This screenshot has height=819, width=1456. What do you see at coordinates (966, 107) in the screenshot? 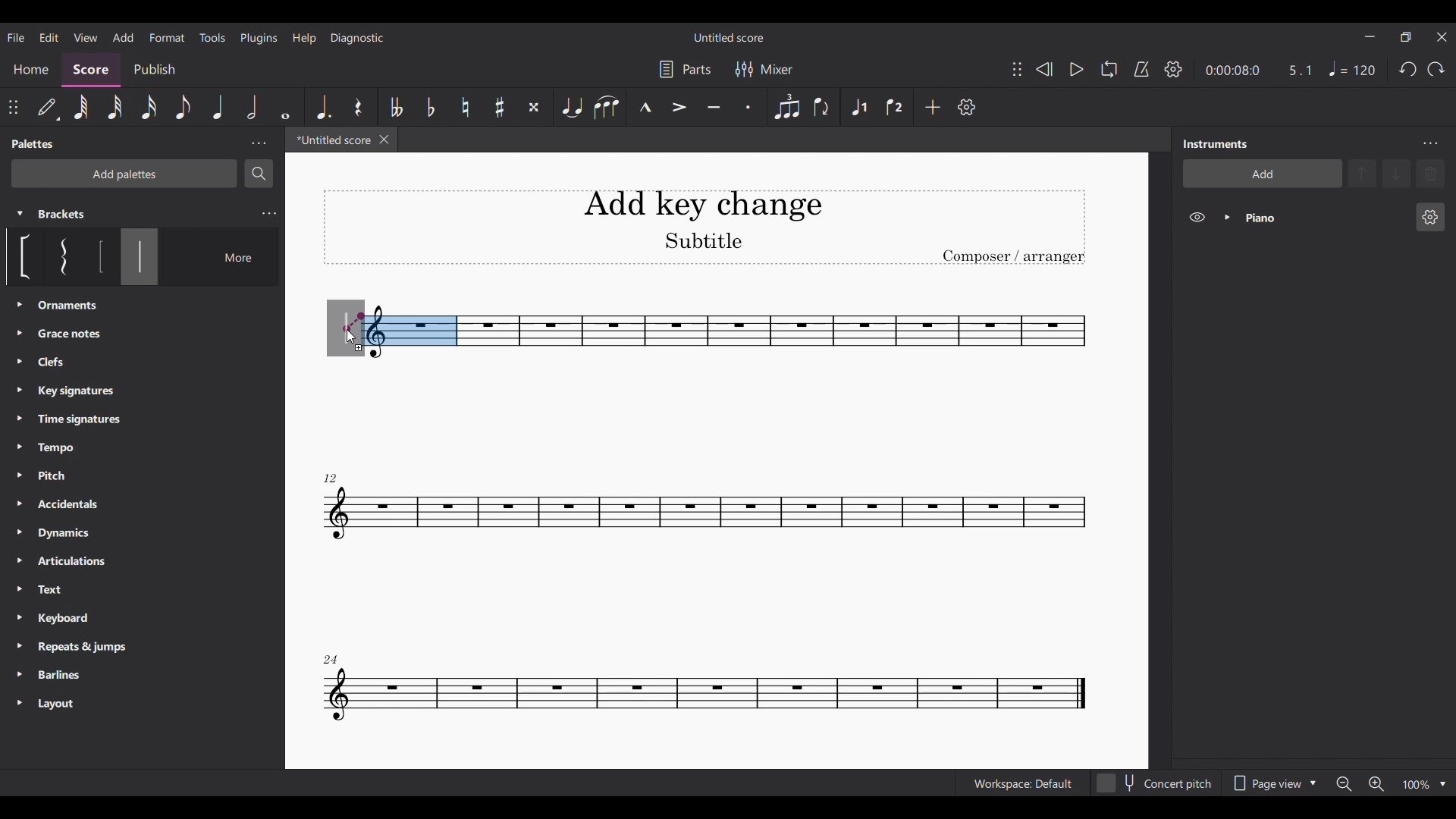
I see `Customize toolbar` at bounding box center [966, 107].